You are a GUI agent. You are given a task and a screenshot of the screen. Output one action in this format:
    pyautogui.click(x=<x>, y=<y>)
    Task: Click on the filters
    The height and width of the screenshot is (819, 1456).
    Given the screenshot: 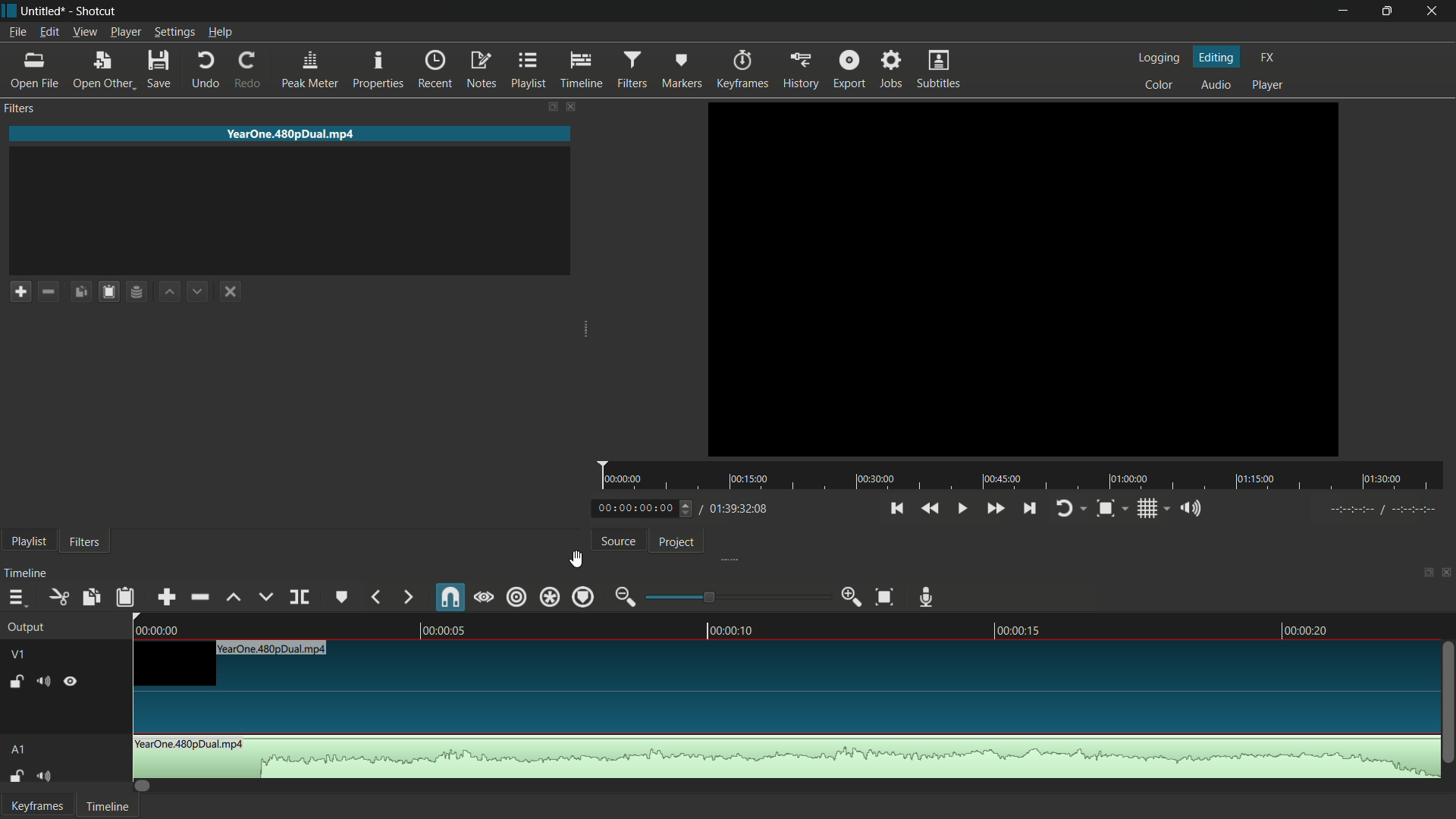 What is the action you would take?
    pyautogui.click(x=632, y=69)
    